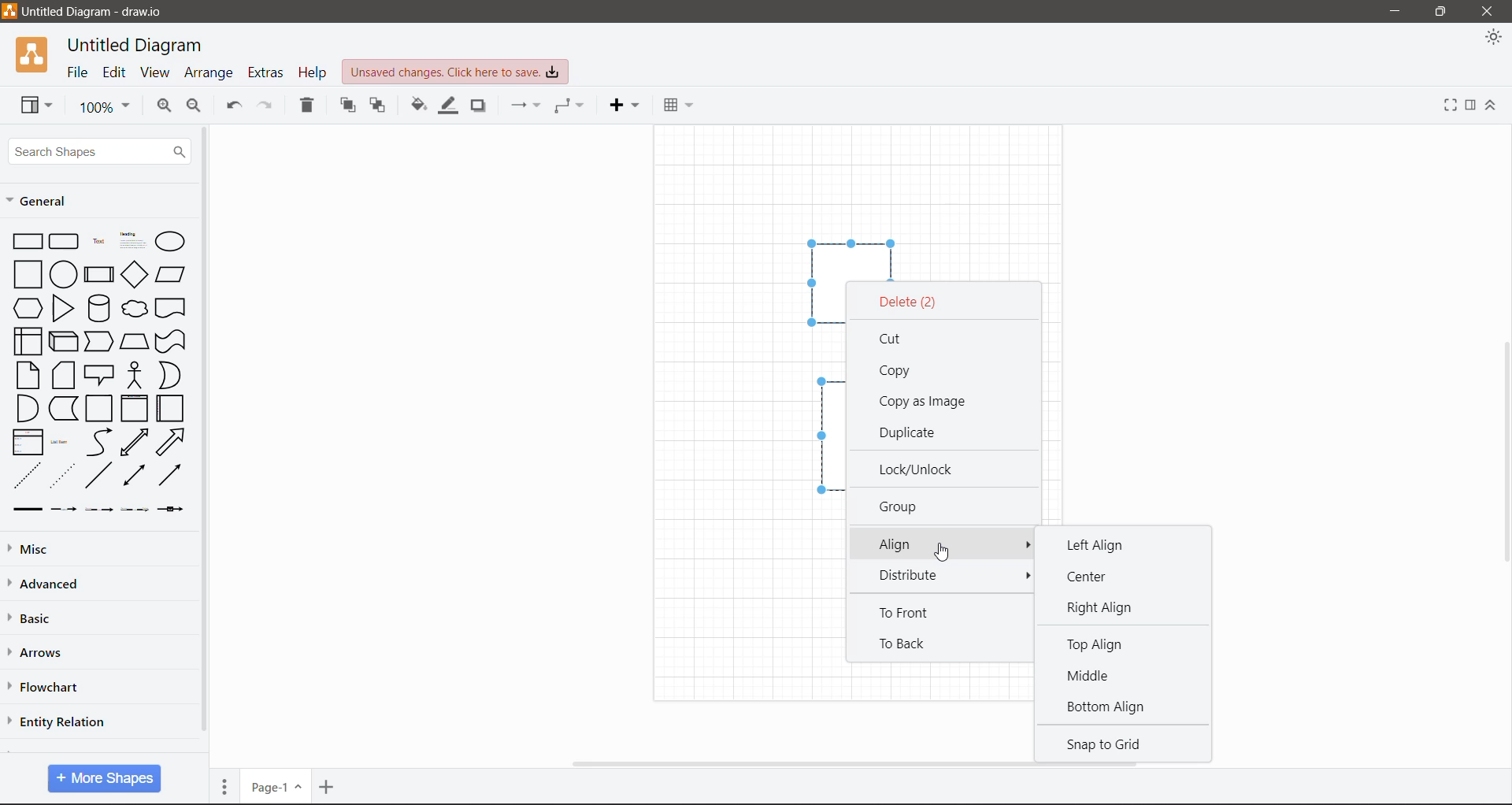 The width and height of the screenshot is (1512, 805). I want to click on Middle, so click(1098, 675).